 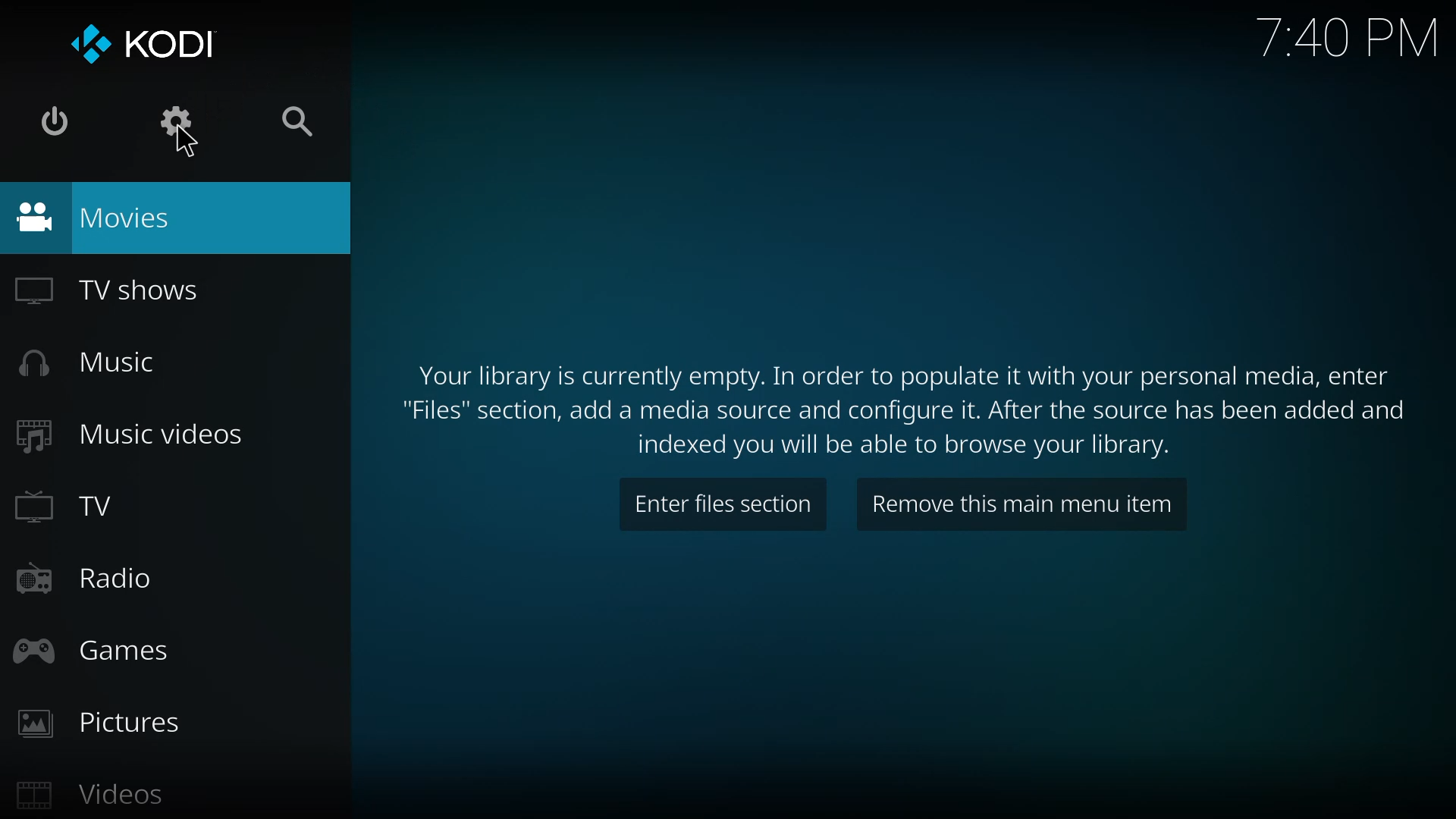 I want to click on movies, so click(x=102, y=216).